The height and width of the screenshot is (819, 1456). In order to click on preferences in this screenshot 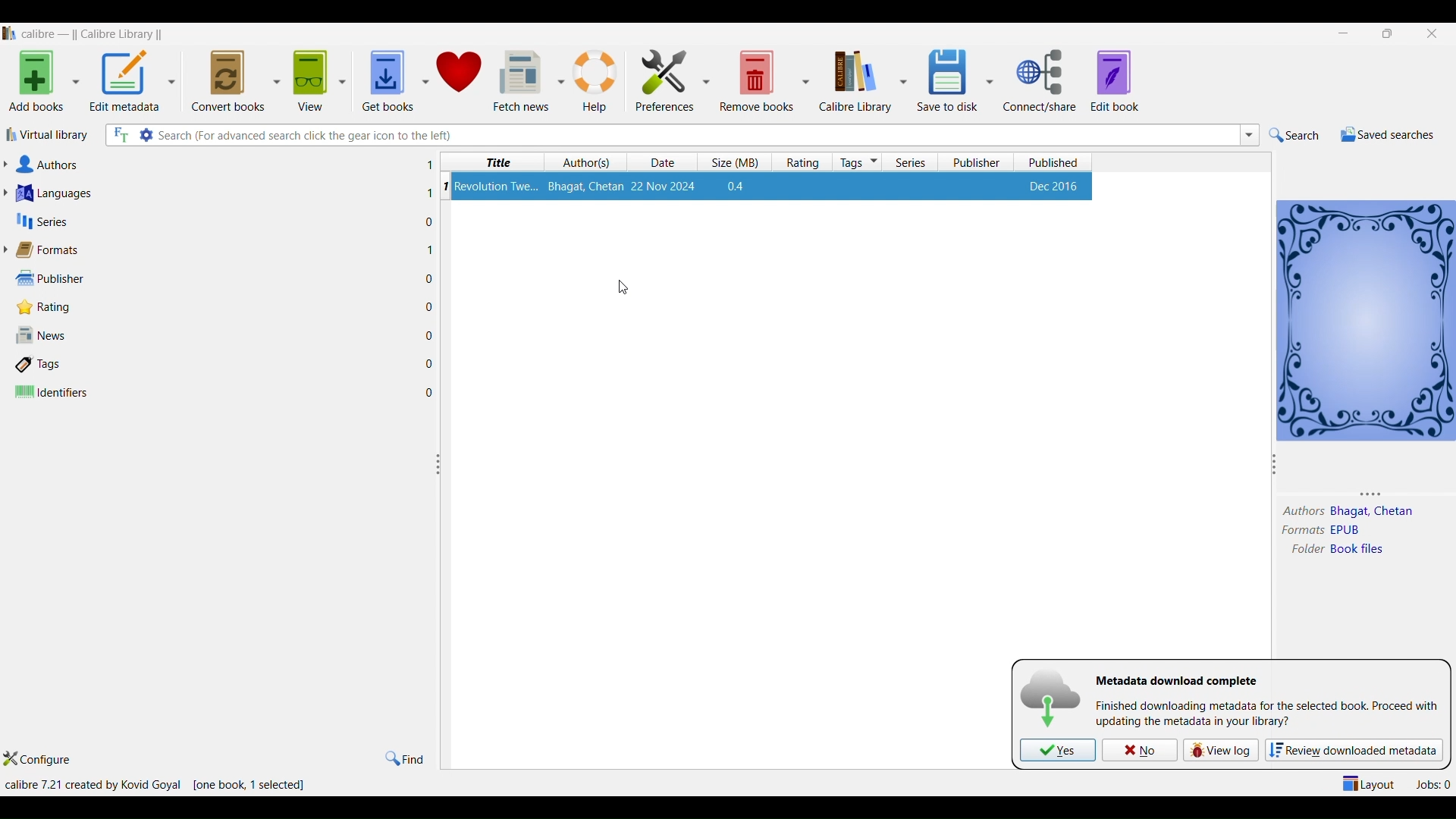, I will do `click(661, 74)`.